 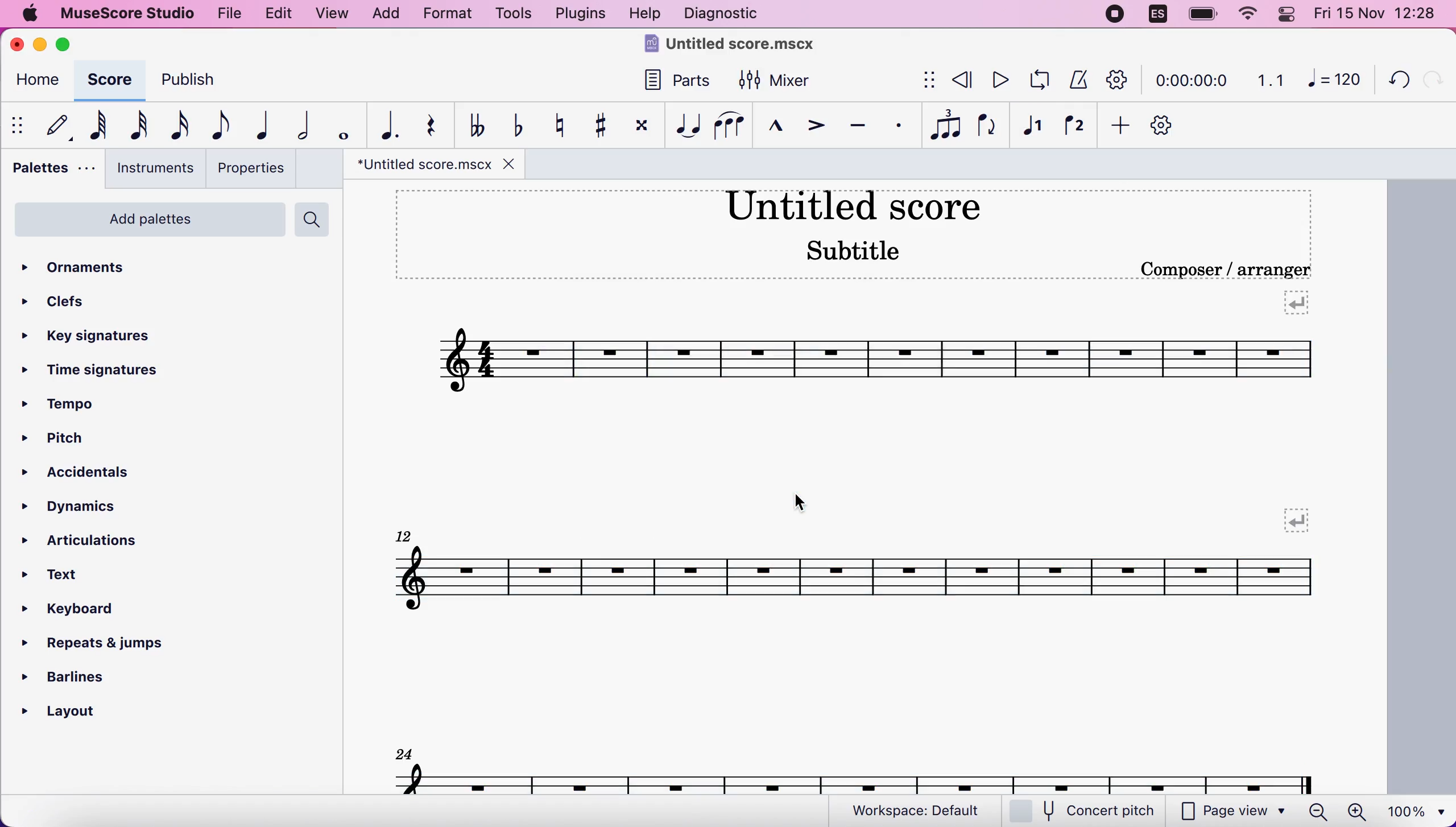 What do you see at coordinates (506, 163) in the screenshot?
I see `close` at bounding box center [506, 163].